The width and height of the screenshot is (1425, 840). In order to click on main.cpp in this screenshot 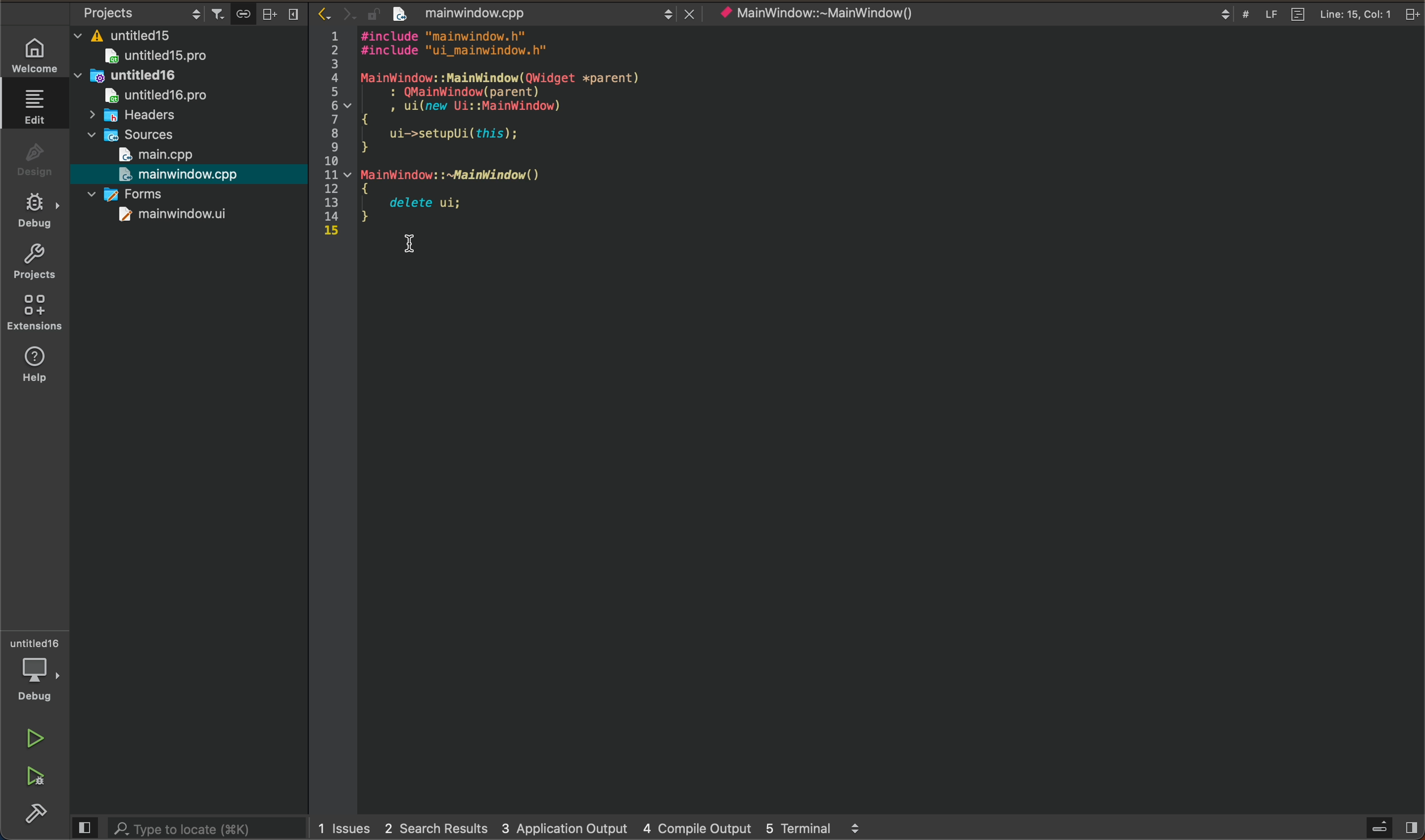, I will do `click(172, 154)`.